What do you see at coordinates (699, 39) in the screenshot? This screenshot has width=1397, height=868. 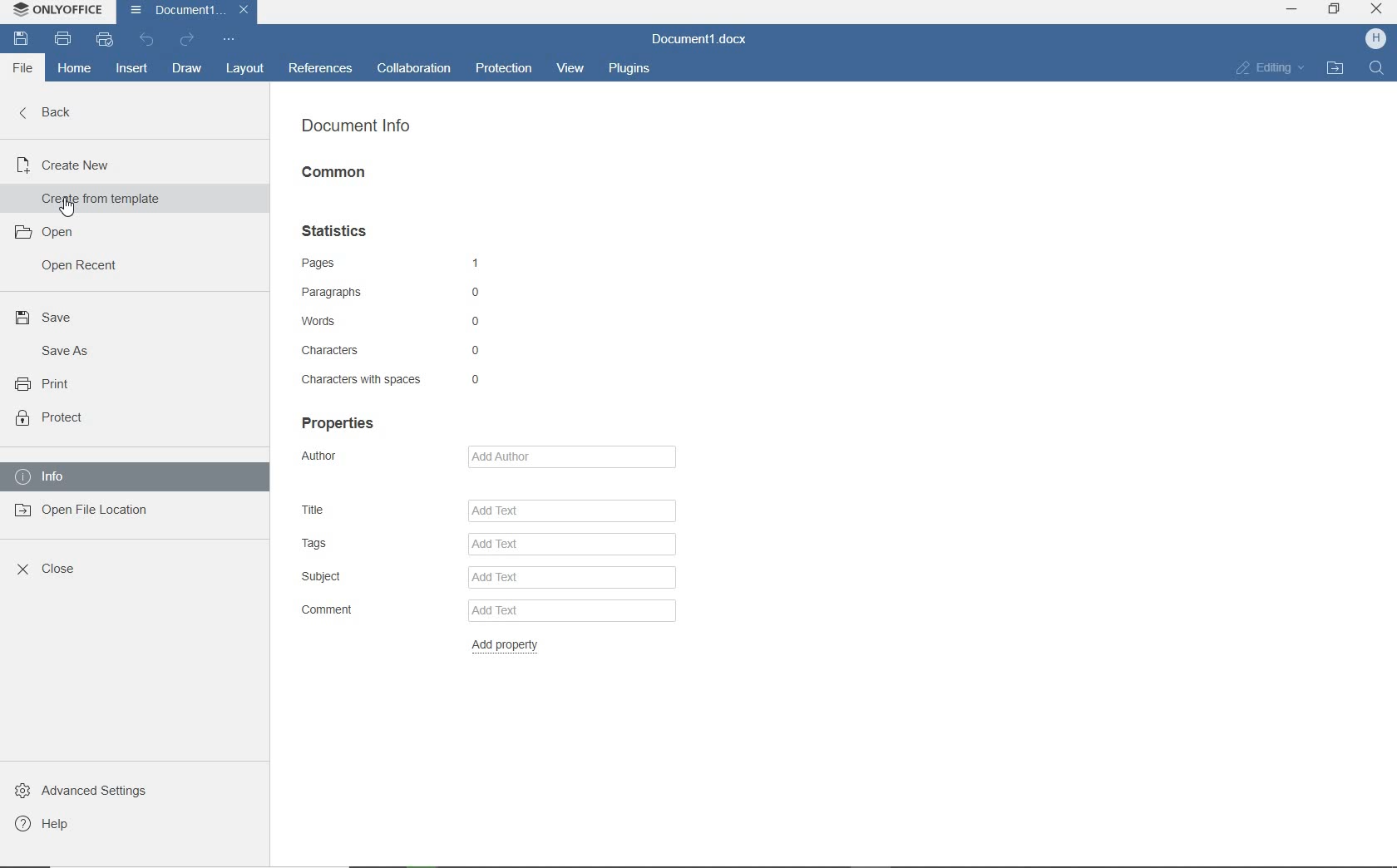 I see `document name` at bounding box center [699, 39].